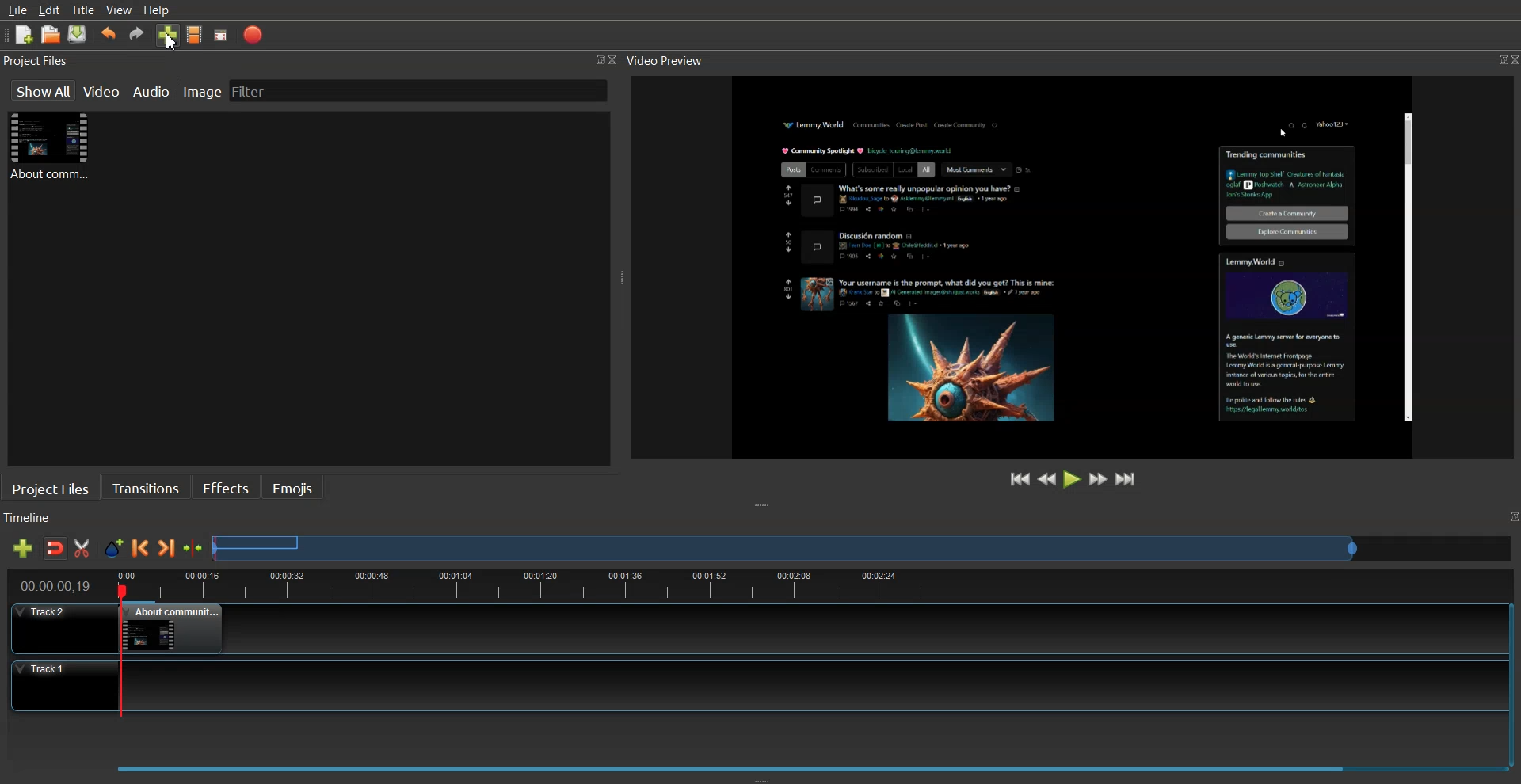 The width and height of the screenshot is (1521, 784). What do you see at coordinates (622, 281) in the screenshot?
I see `Window Adjuster` at bounding box center [622, 281].